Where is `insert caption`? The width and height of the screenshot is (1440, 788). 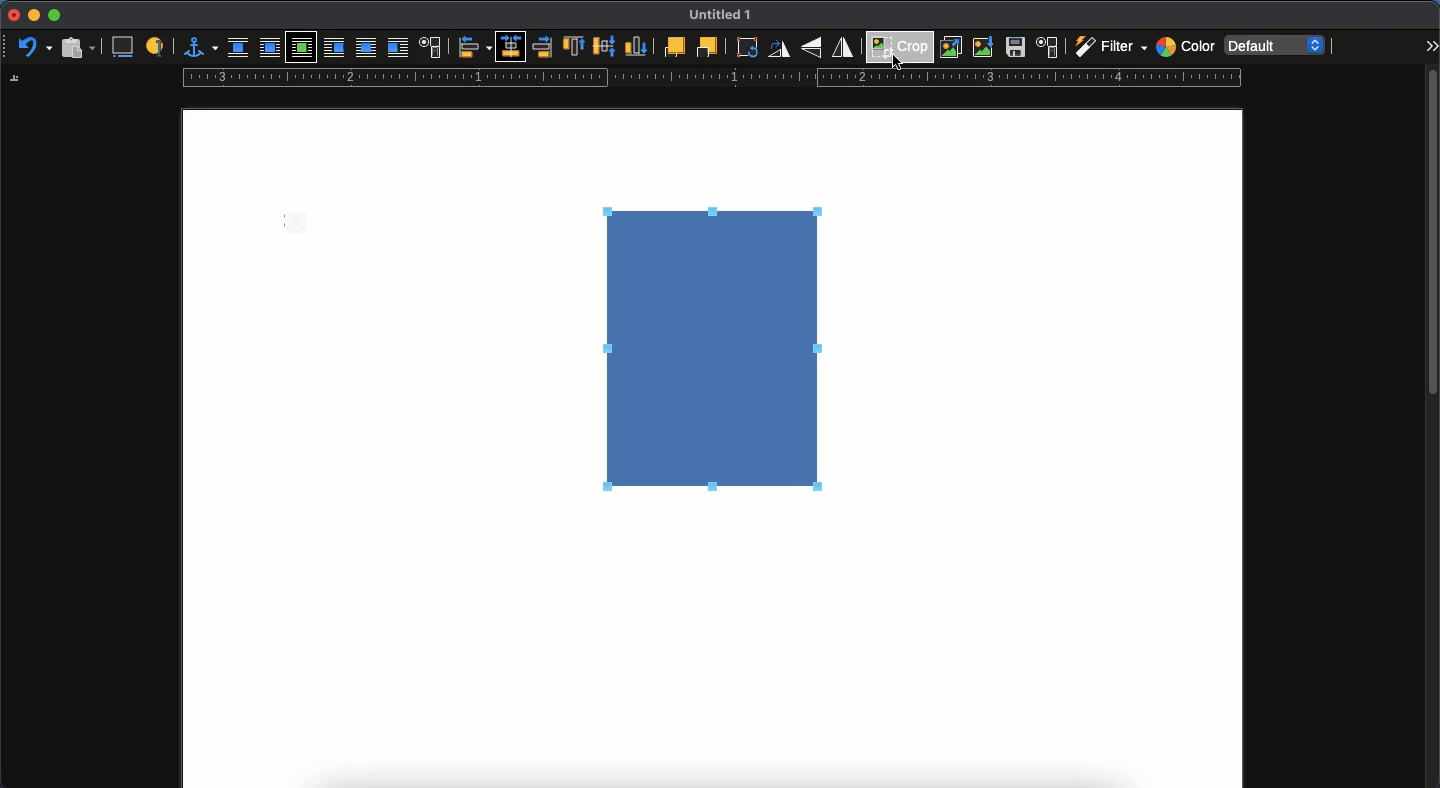 insert caption is located at coordinates (121, 47).